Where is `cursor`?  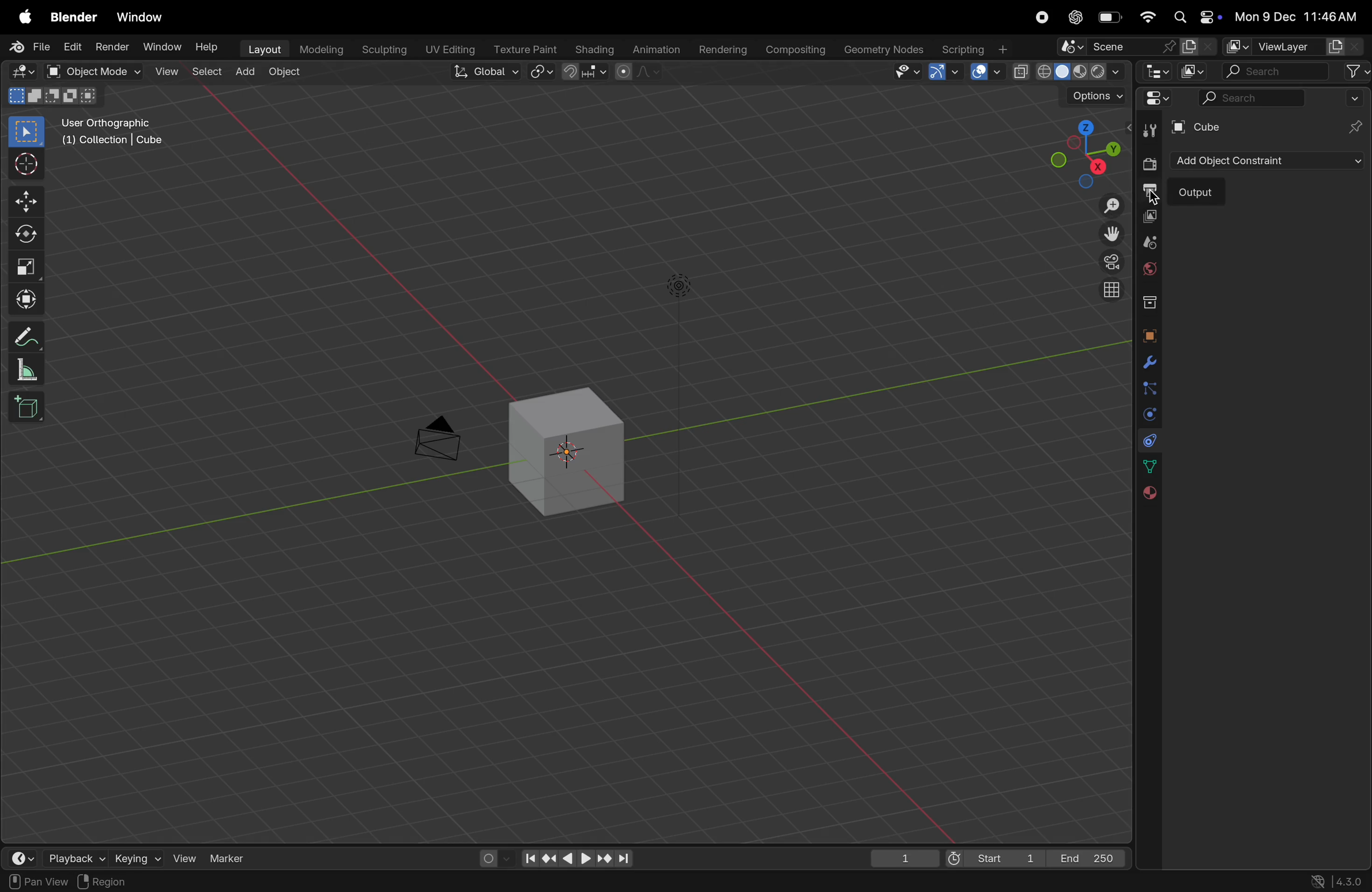 cursor is located at coordinates (24, 162).